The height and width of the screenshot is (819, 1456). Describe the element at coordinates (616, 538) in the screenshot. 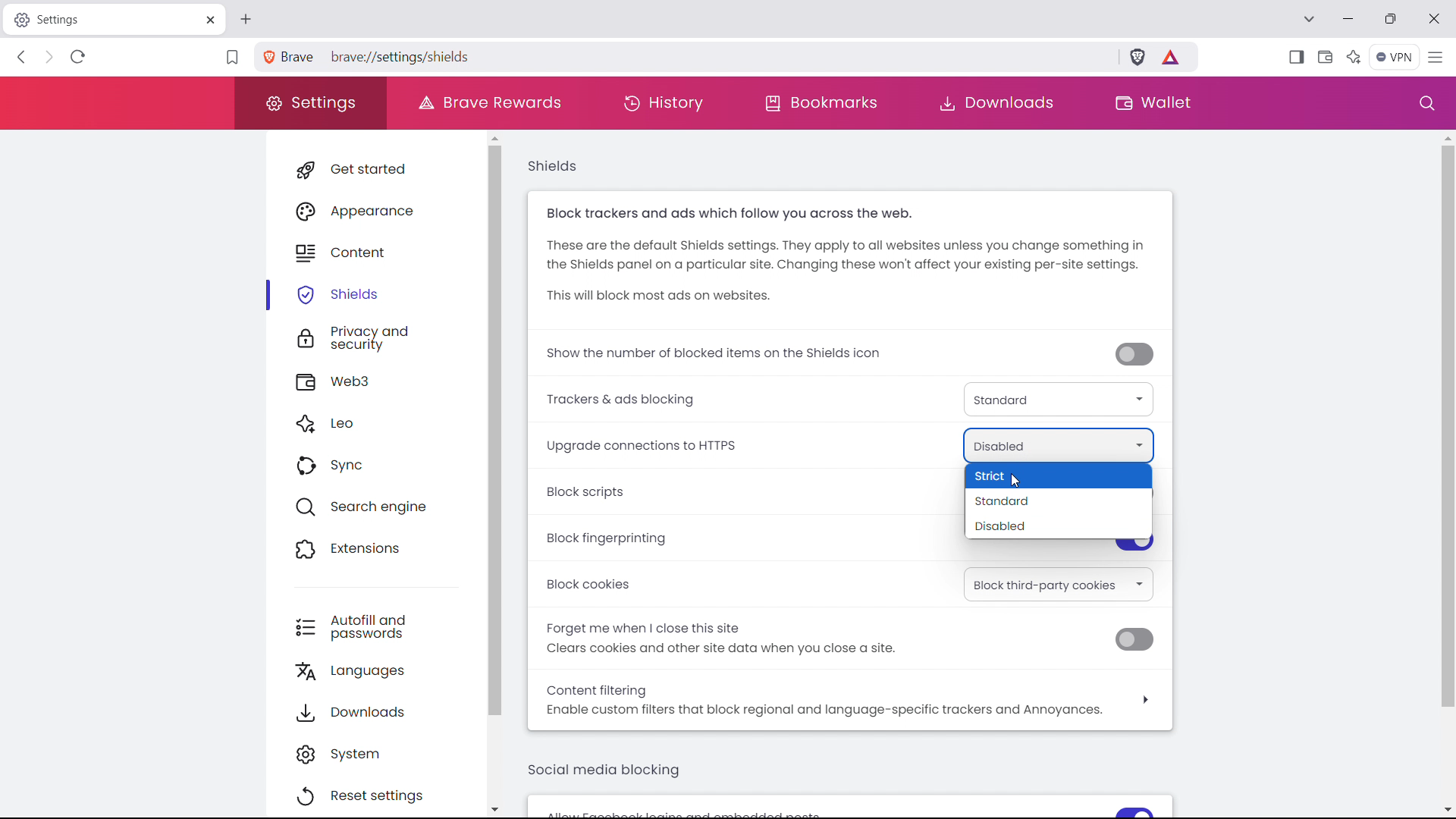

I see `block fingerprinting` at that location.